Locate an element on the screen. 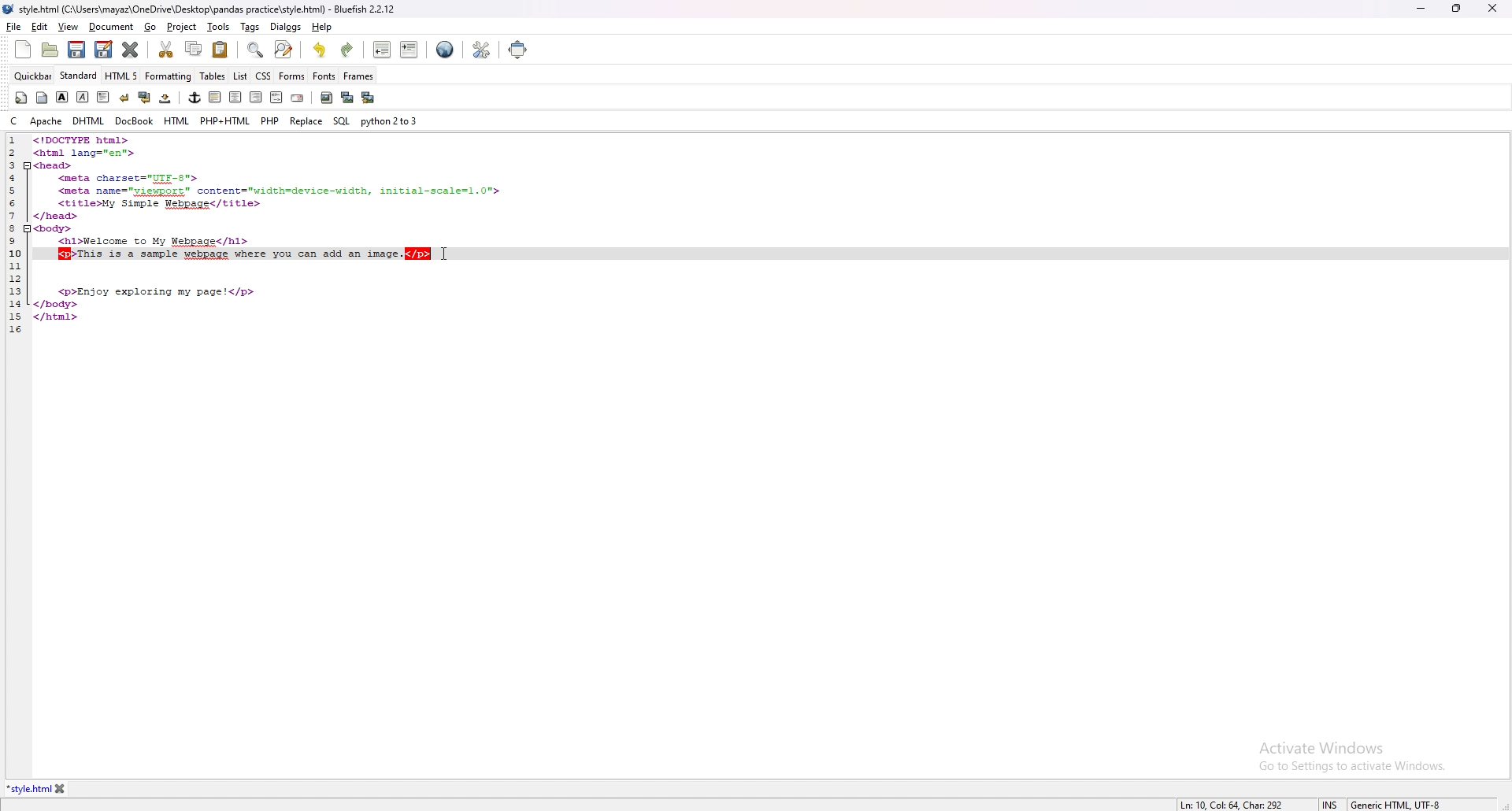  break and clear is located at coordinates (145, 97).